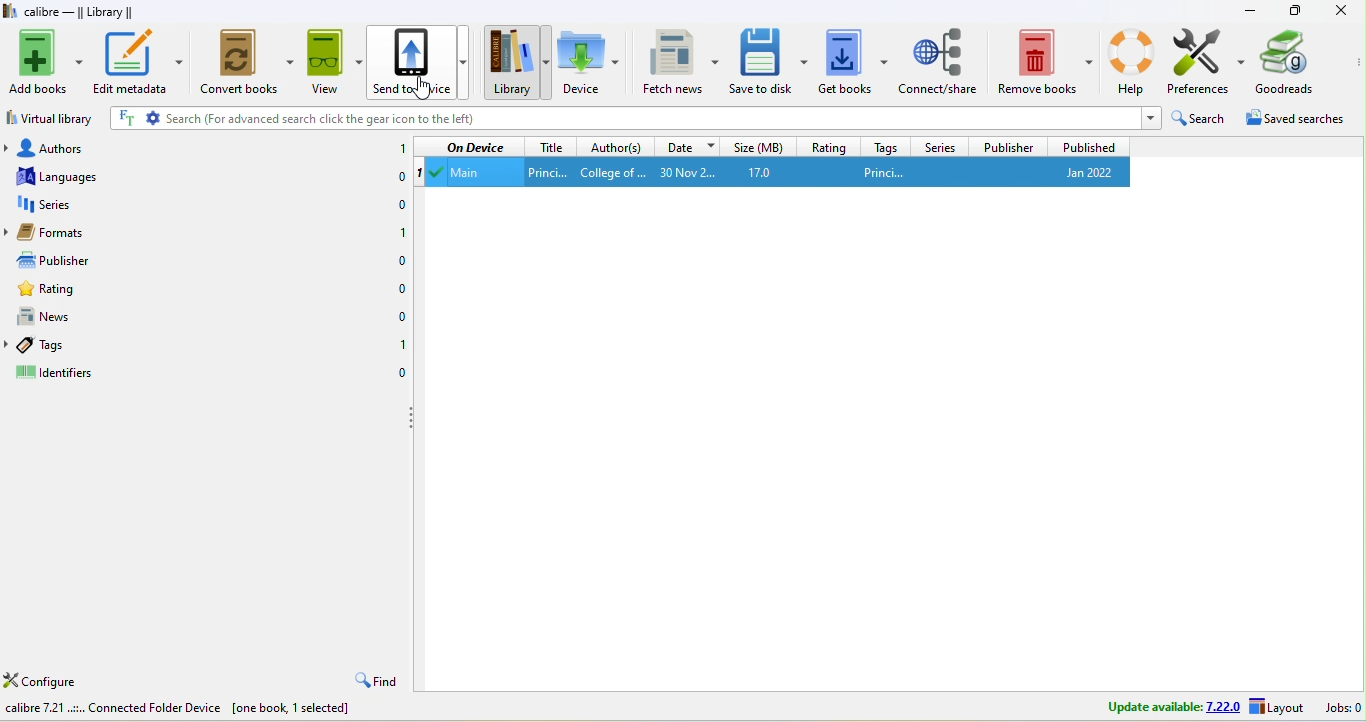 This screenshot has width=1366, height=722. Describe the element at coordinates (1006, 146) in the screenshot. I see `publisher` at that location.